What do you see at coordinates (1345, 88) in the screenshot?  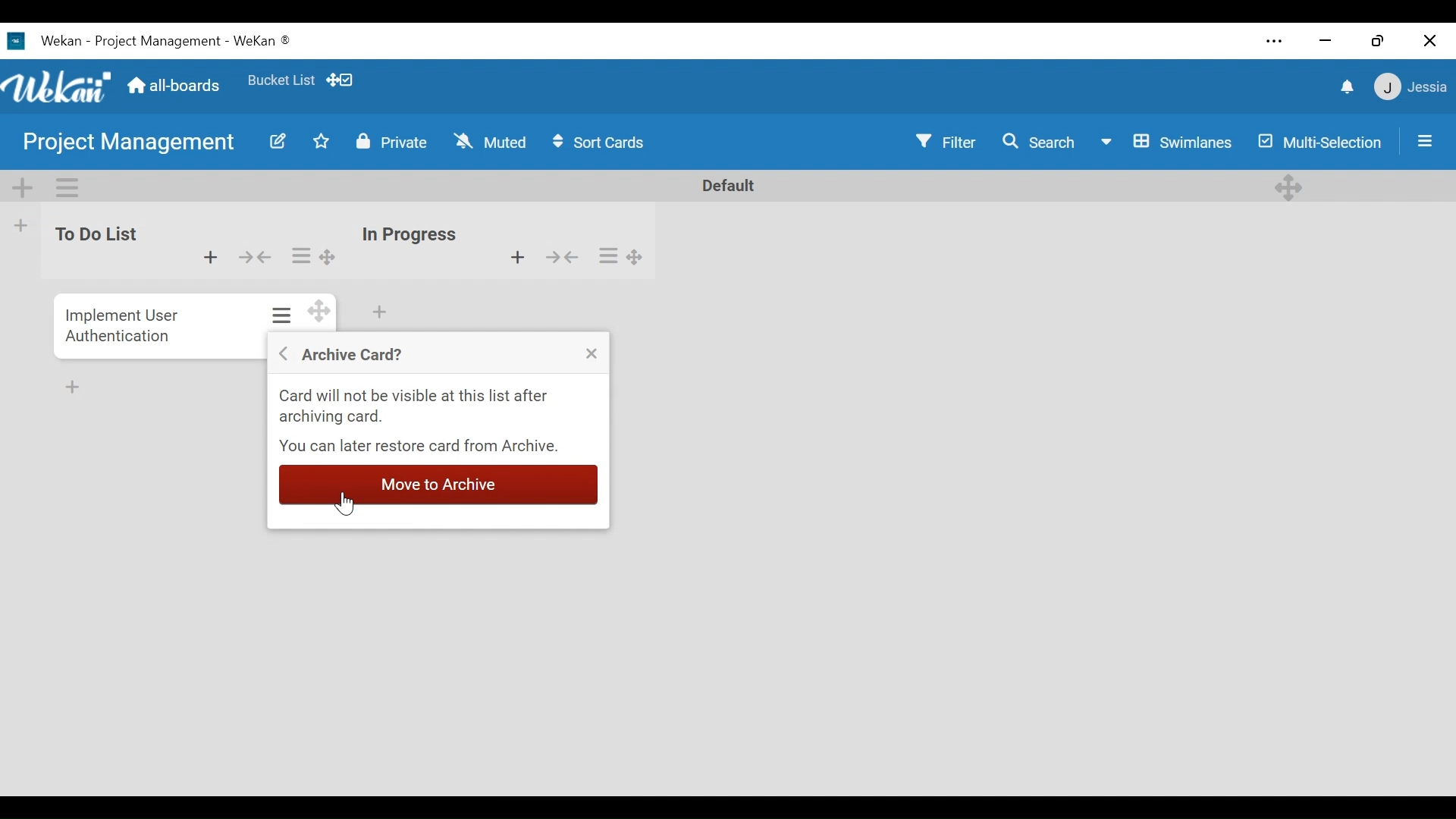 I see `notifications` at bounding box center [1345, 88].